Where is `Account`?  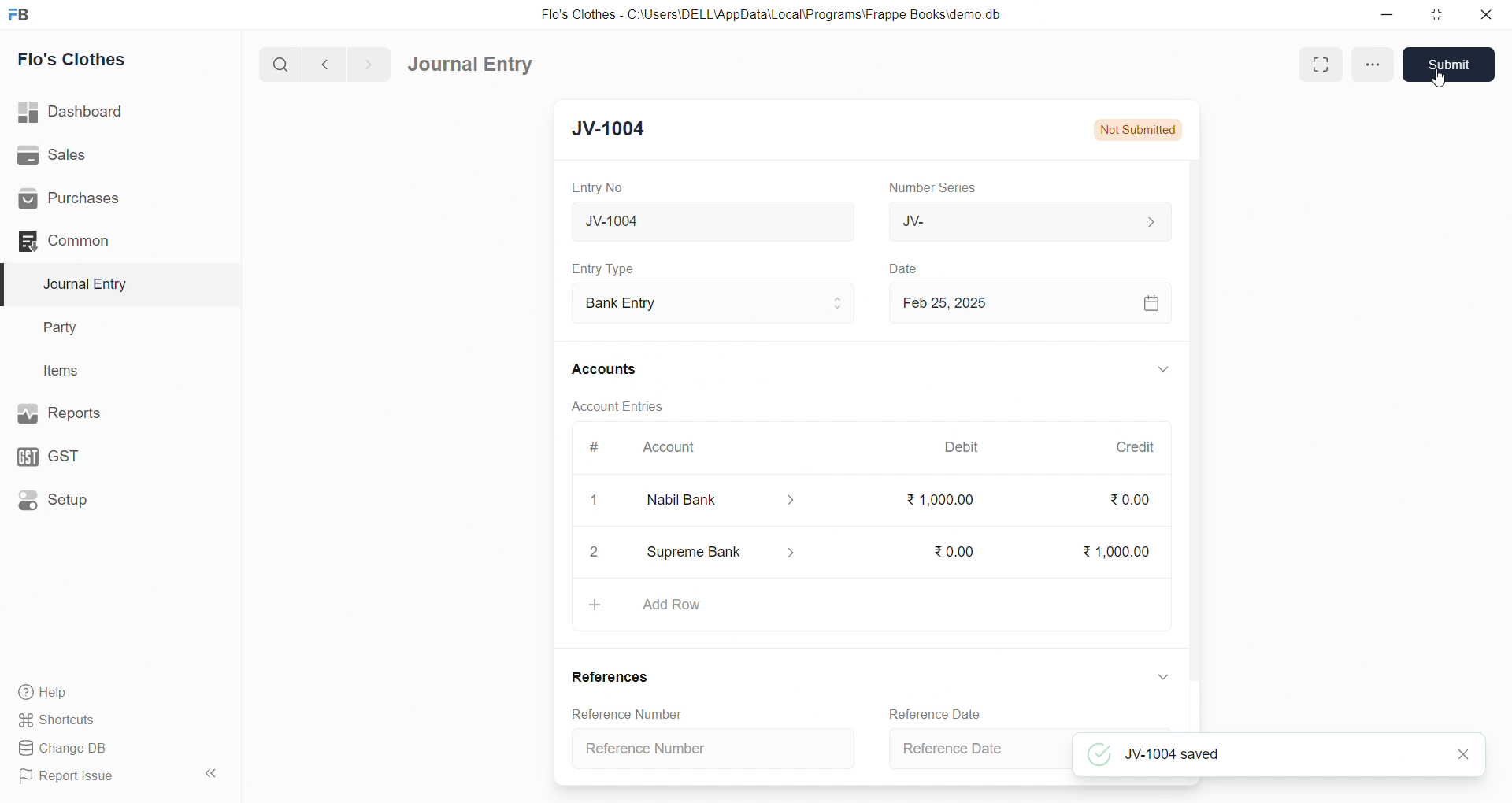
Account is located at coordinates (665, 450).